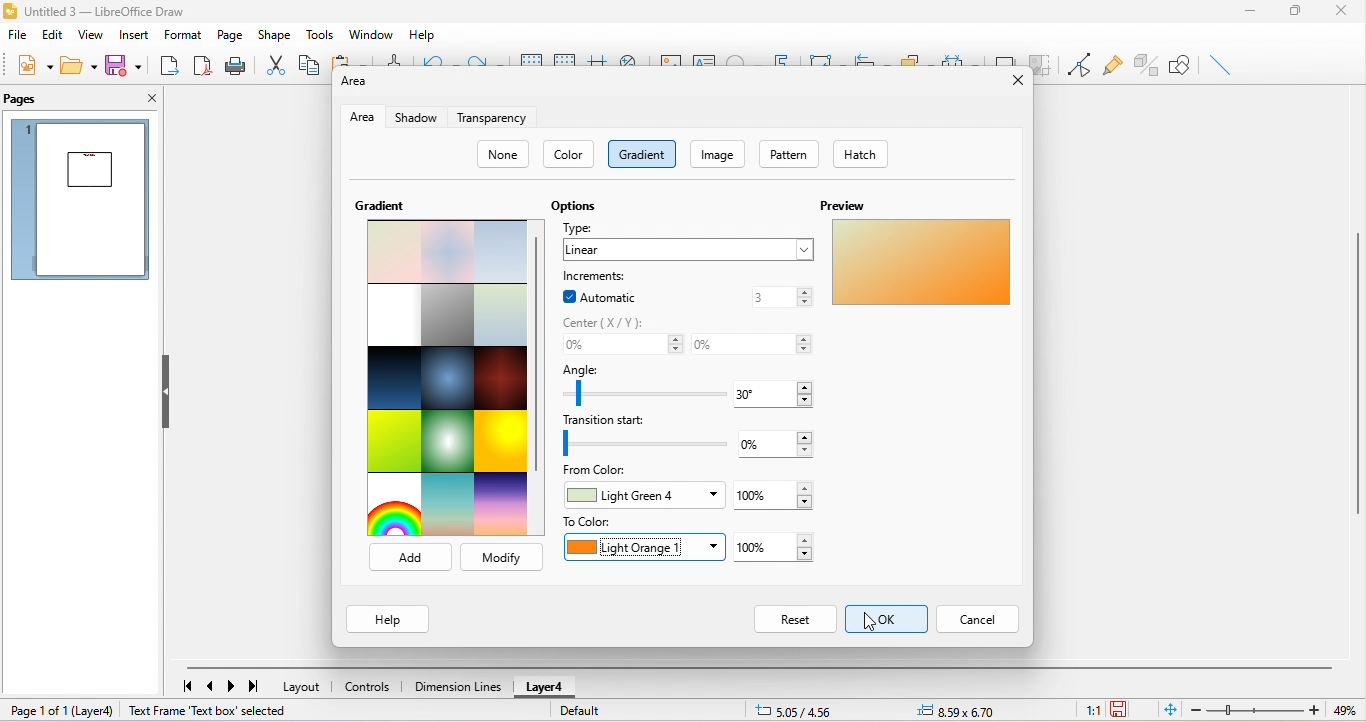  What do you see at coordinates (379, 206) in the screenshot?
I see `gradient` at bounding box center [379, 206].